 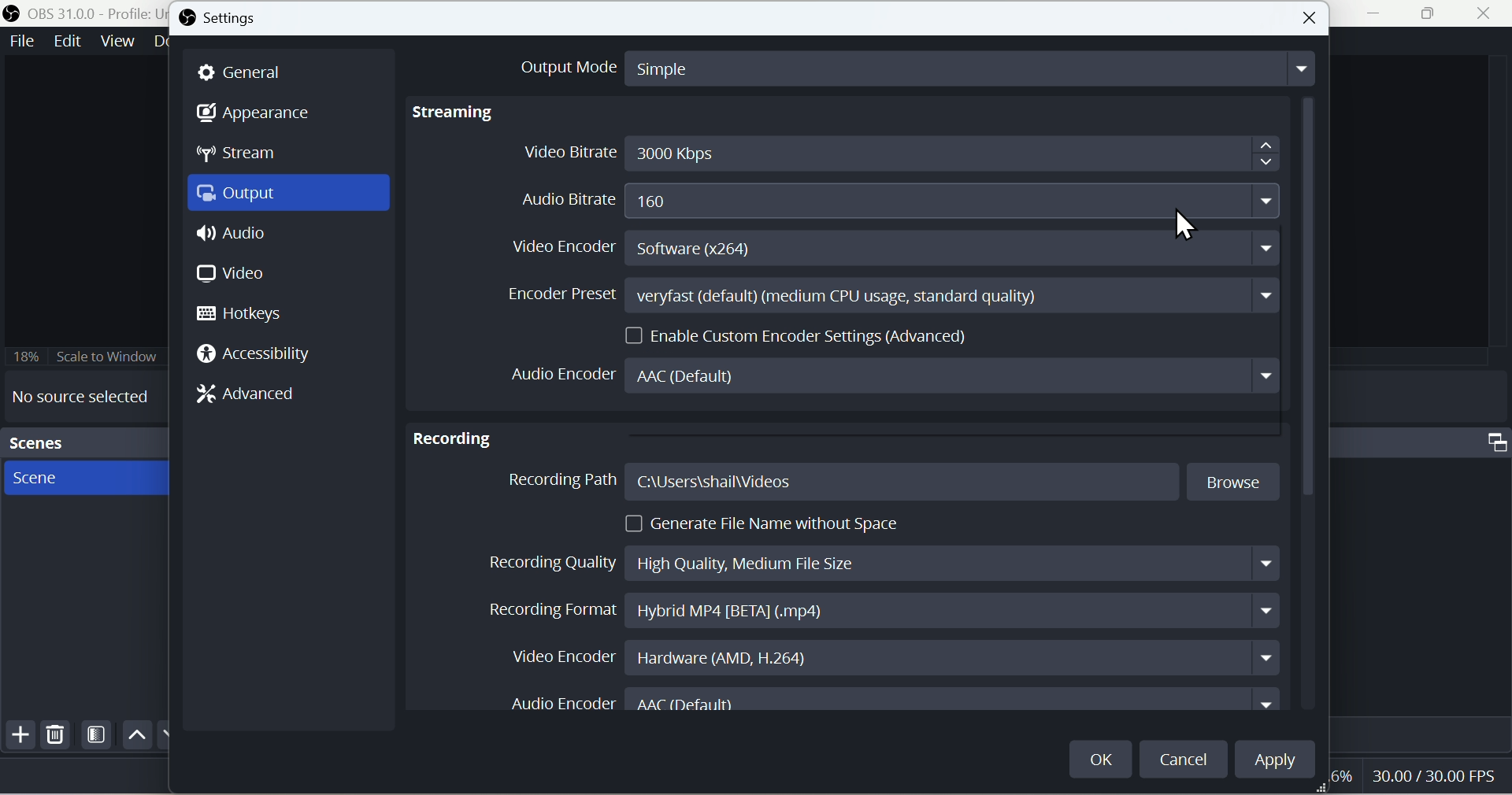 I want to click on Delete, so click(x=56, y=738).